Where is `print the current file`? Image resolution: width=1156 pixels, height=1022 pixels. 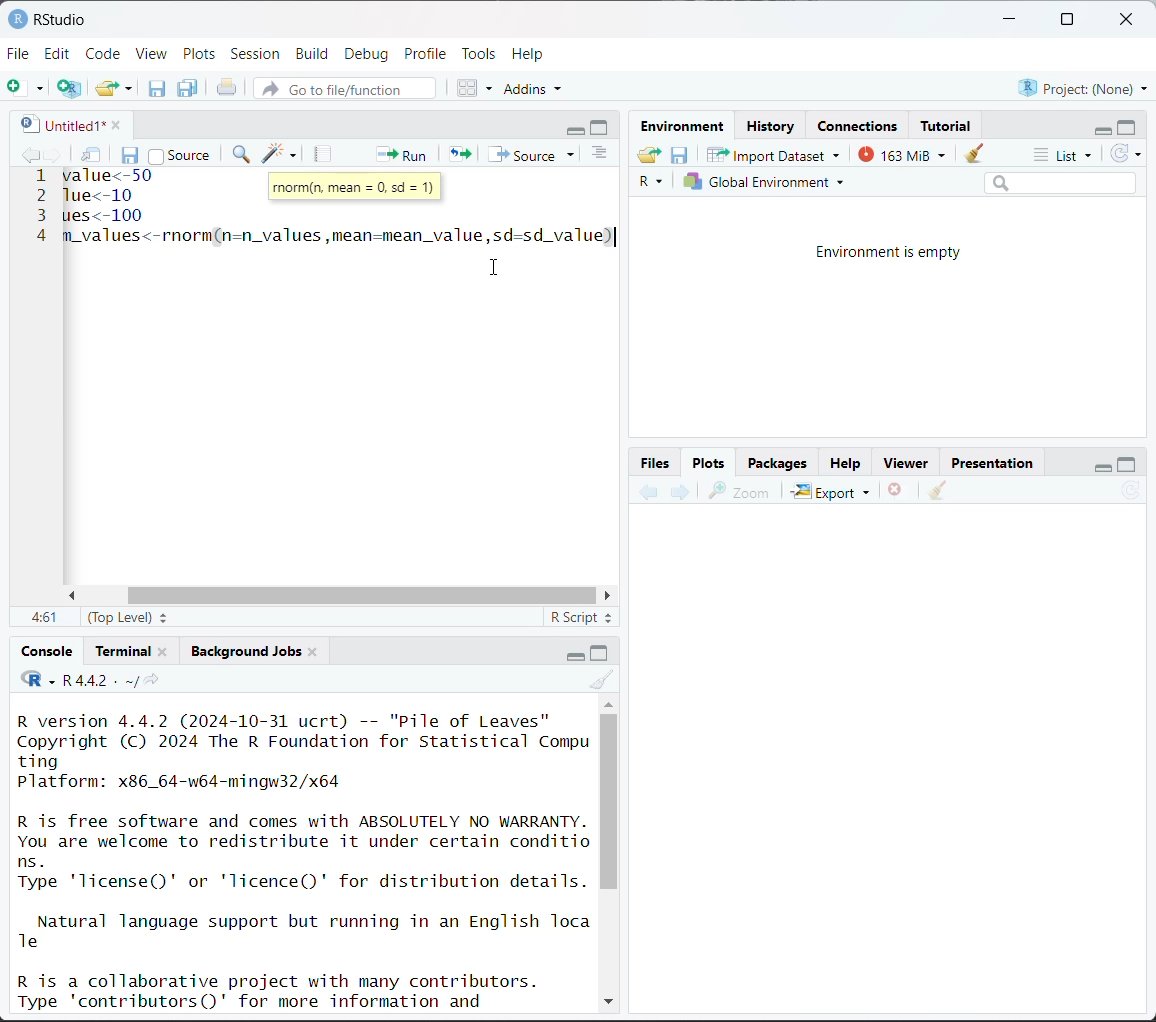
print the current file is located at coordinates (228, 88).